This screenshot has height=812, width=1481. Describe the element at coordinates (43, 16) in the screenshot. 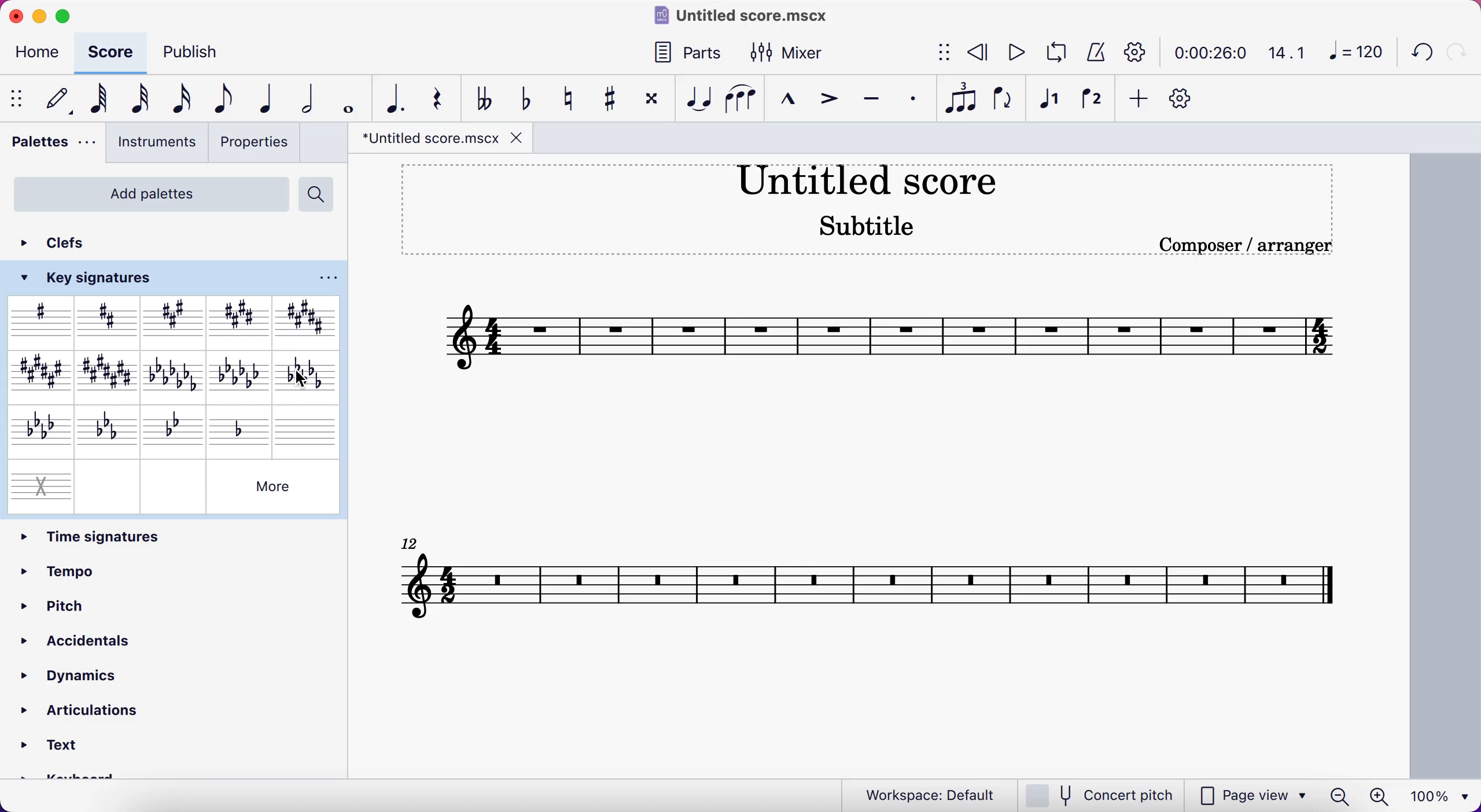

I see `minimize` at that location.